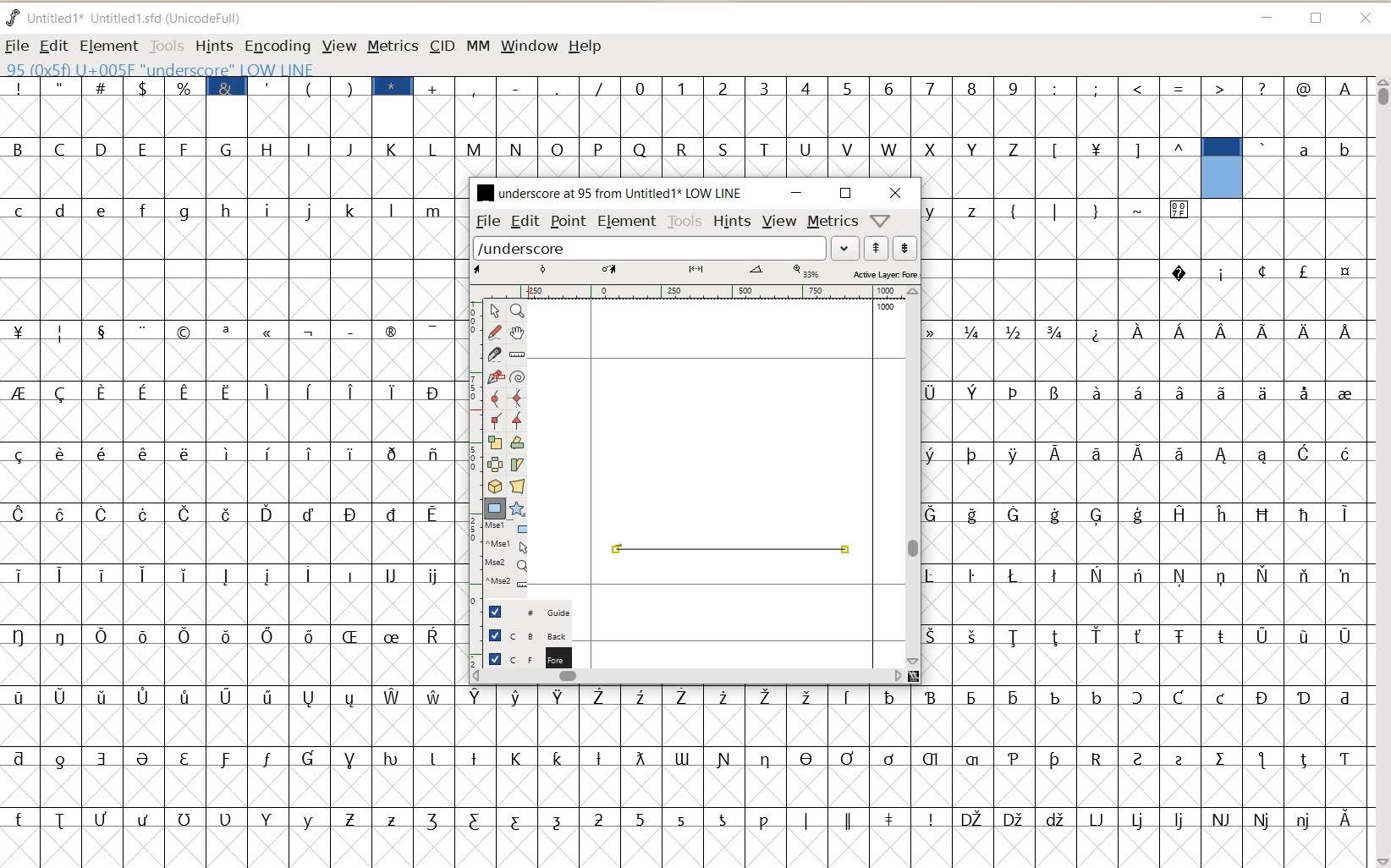  I want to click on SCALE, so click(471, 447).